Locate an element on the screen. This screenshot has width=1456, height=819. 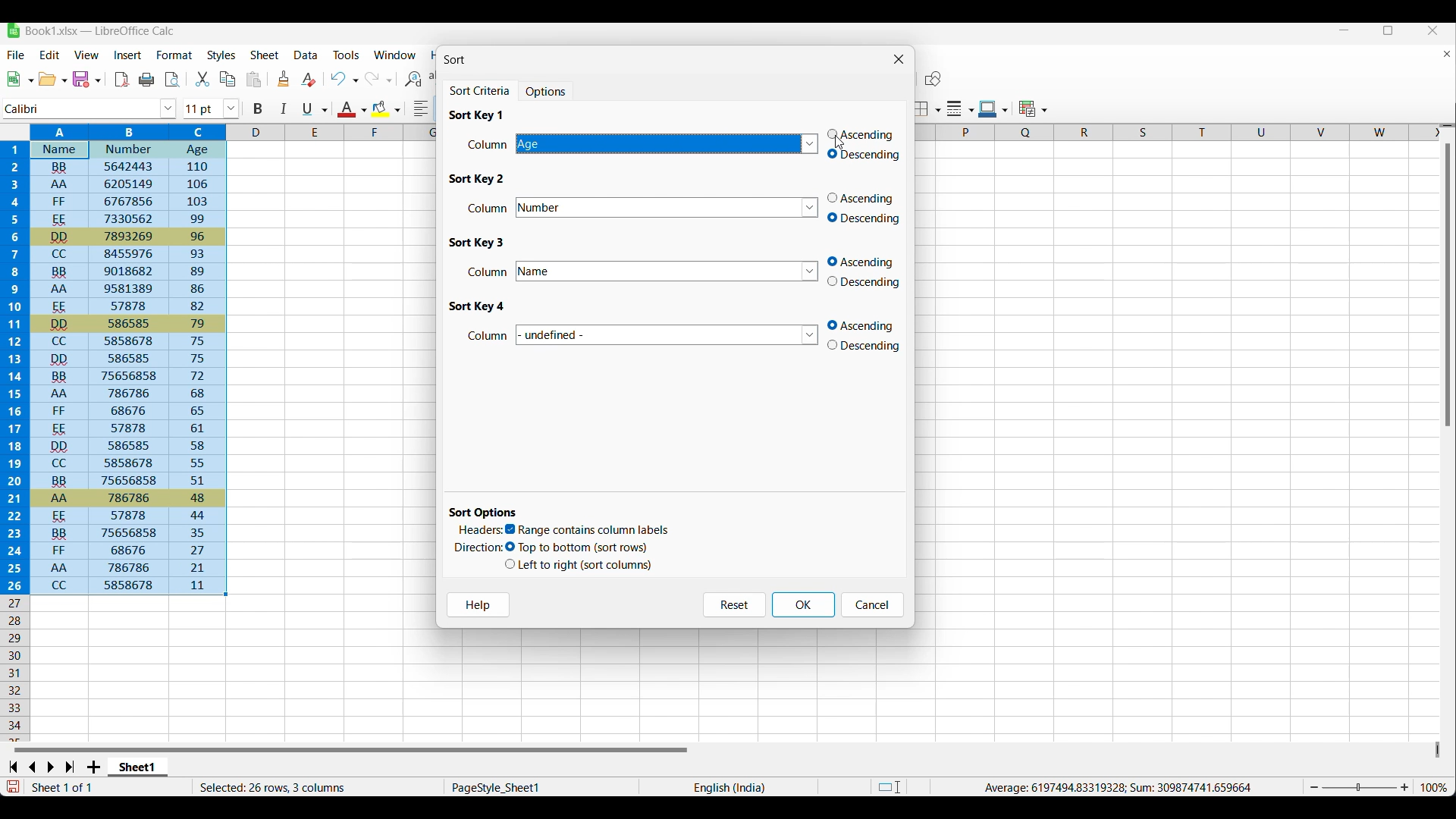
Software logo is located at coordinates (14, 30).